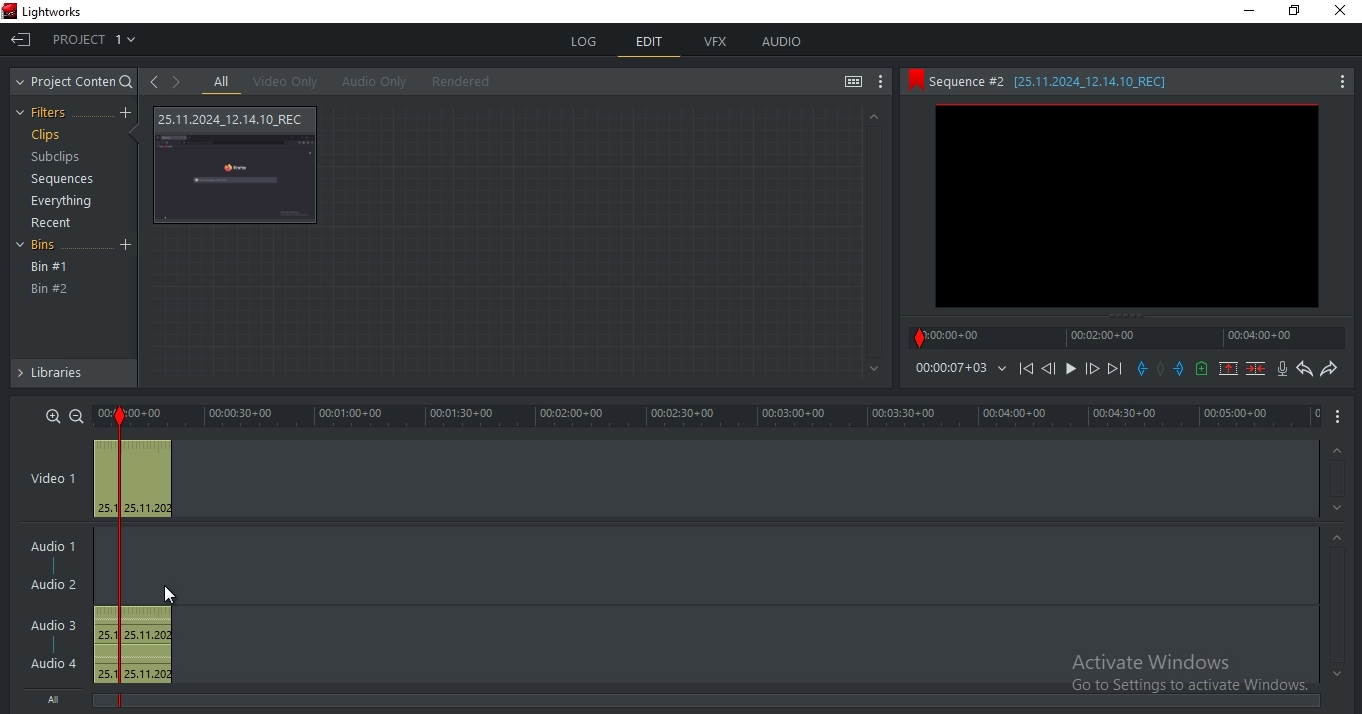  I want to click on video, so click(238, 165).